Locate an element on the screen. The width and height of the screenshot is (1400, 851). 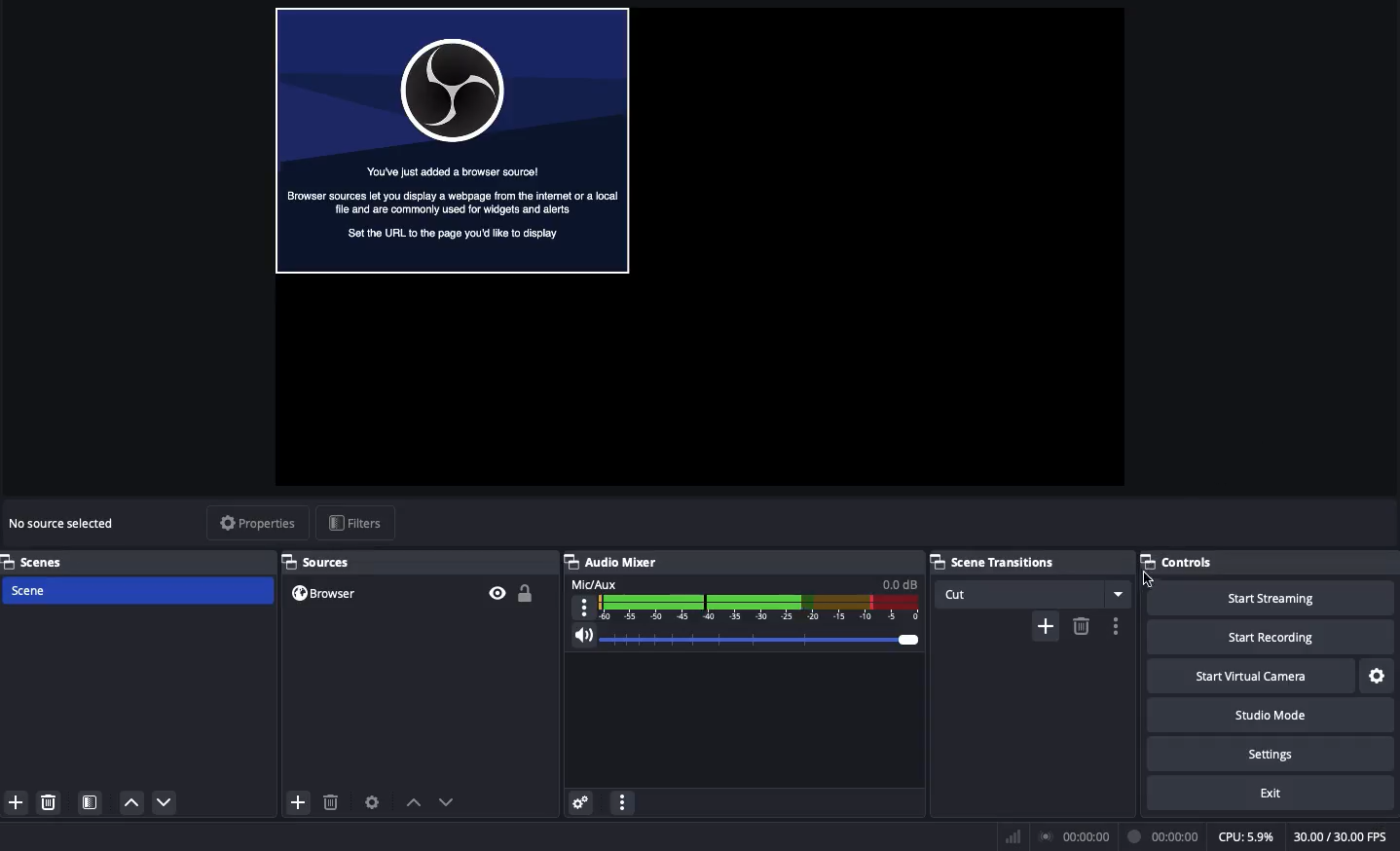
CPU is located at coordinates (1243, 836).